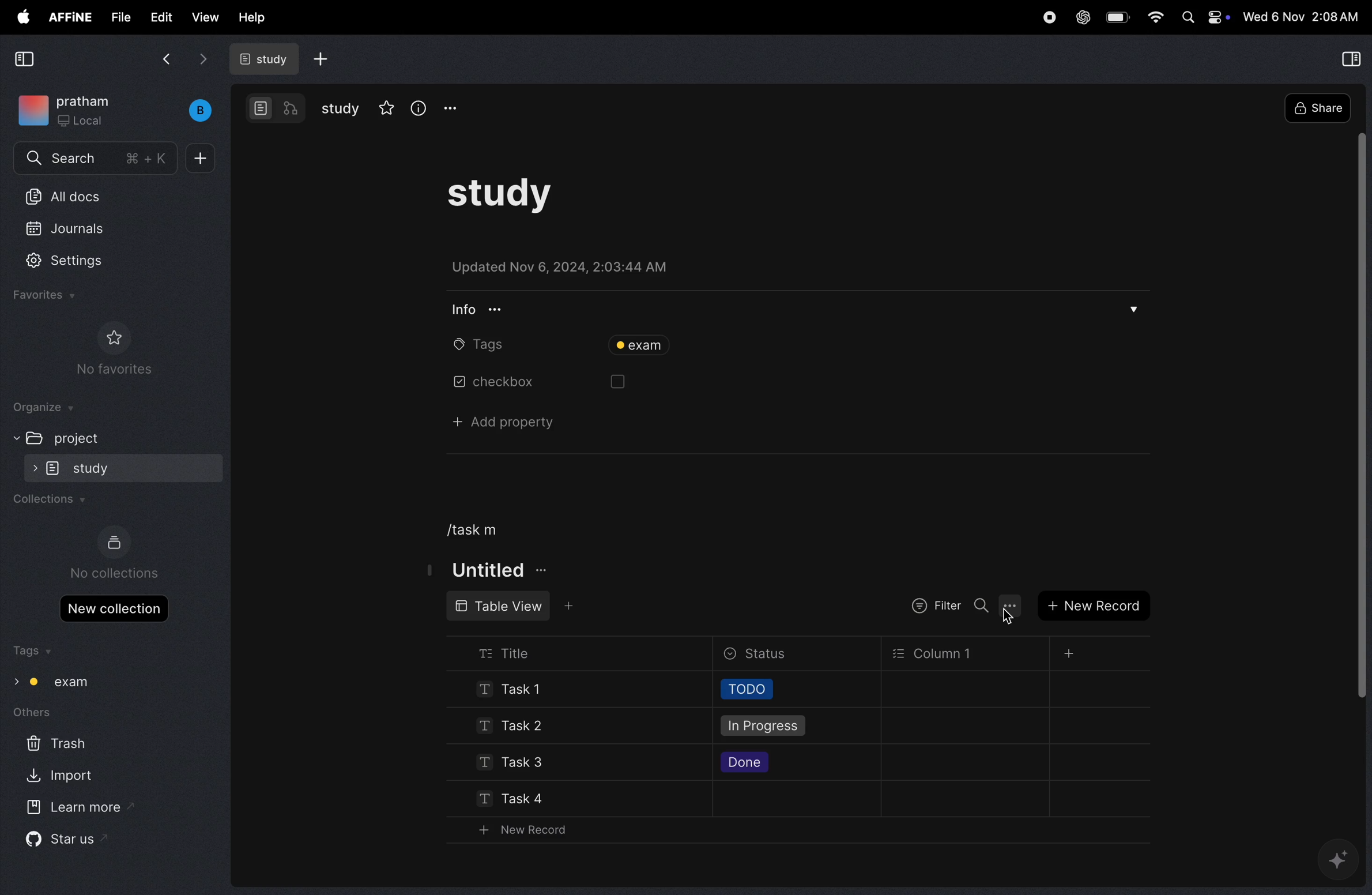 This screenshot has width=1372, height=895. What do you see at coordinates (747, 764) in the screenshot?
I see `done` at bounding box center [747, 764].